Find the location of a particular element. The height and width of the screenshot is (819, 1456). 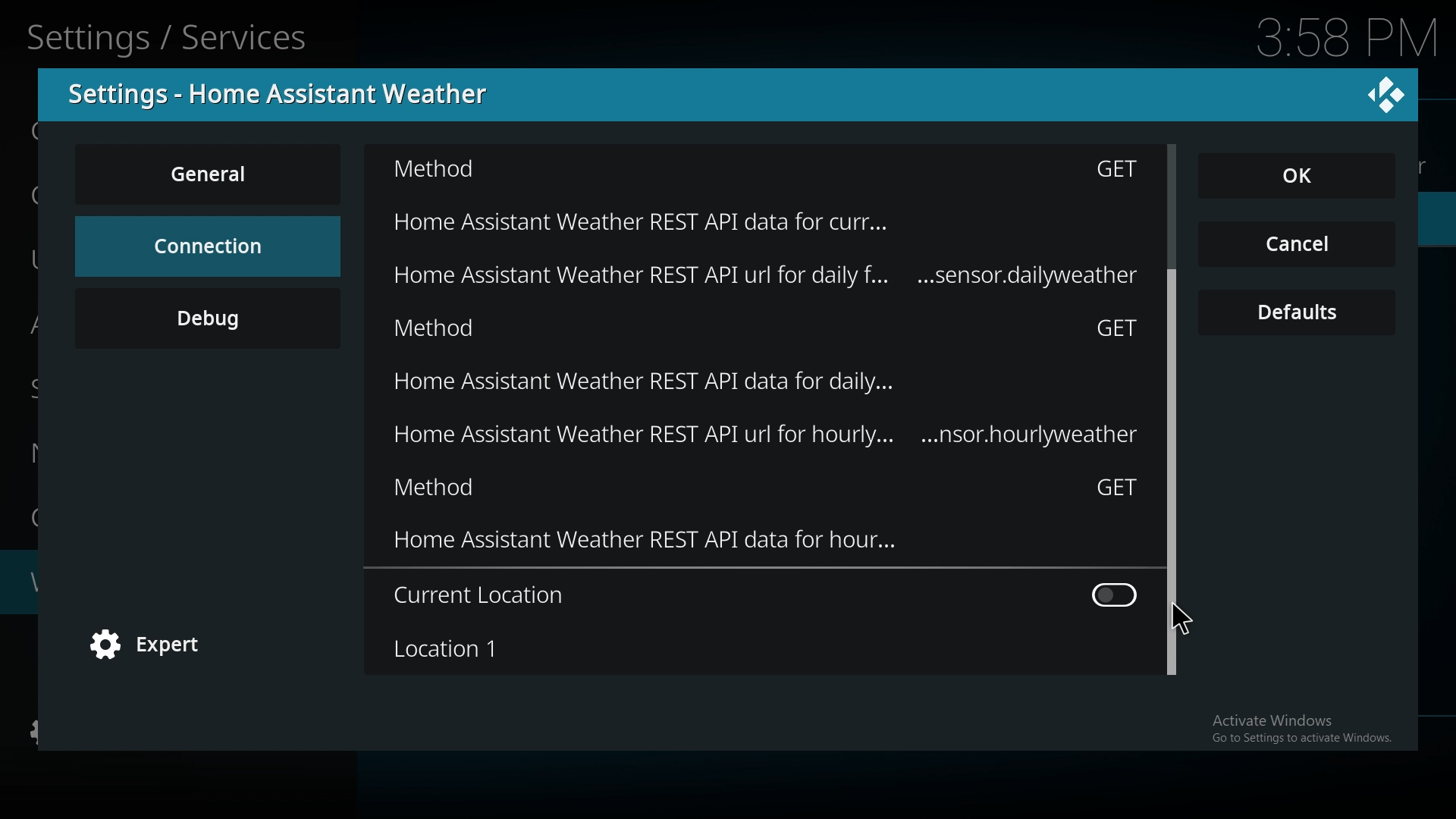

Home assistant weather rest API data for hour is located at coordinates (767, 547).